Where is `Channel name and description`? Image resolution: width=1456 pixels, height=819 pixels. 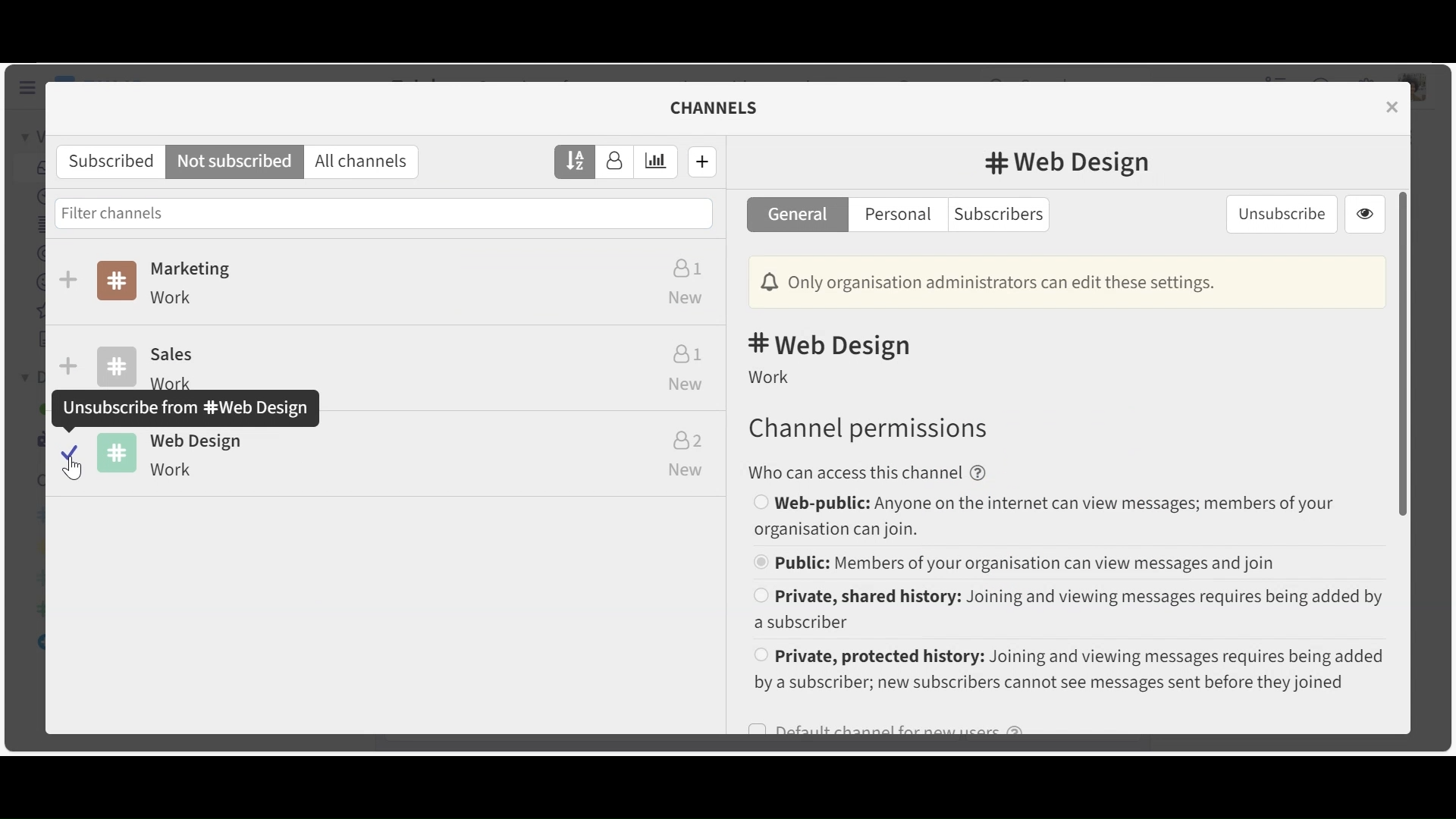
Channel name and description is located at coordinates (406, 460).